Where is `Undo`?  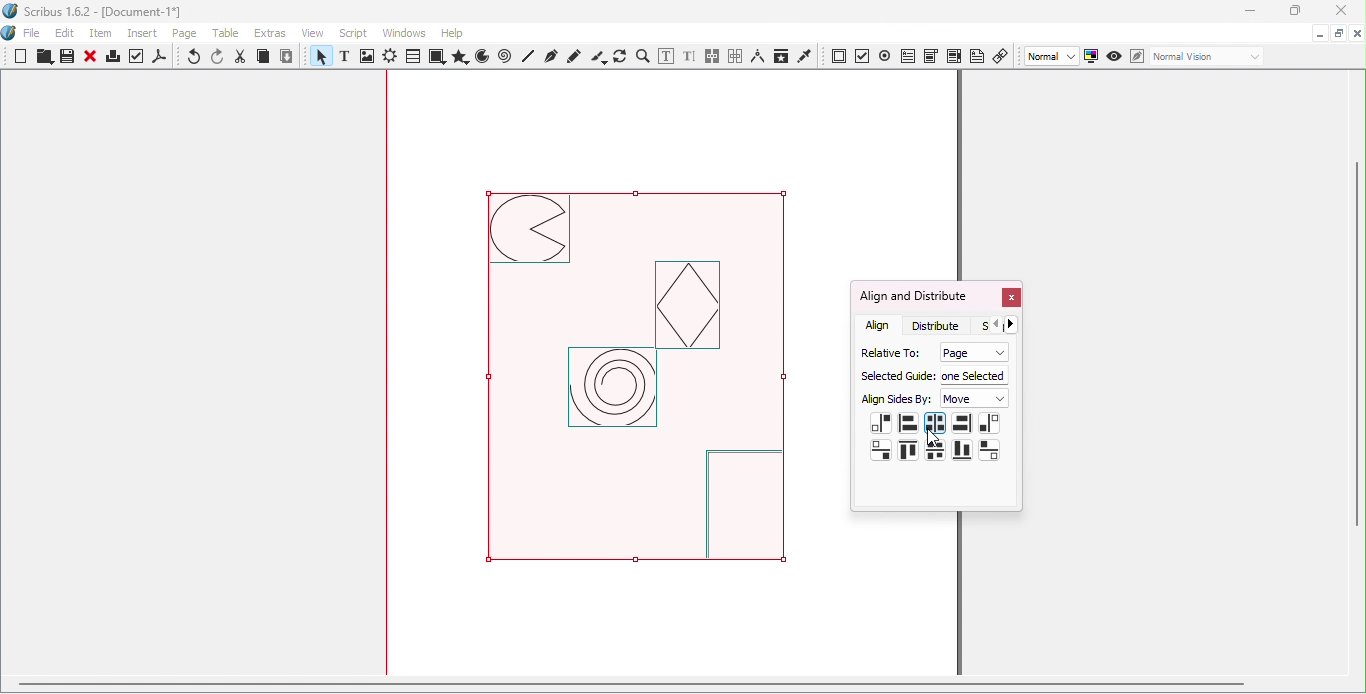
Undo is located at coordinates (195, 58).